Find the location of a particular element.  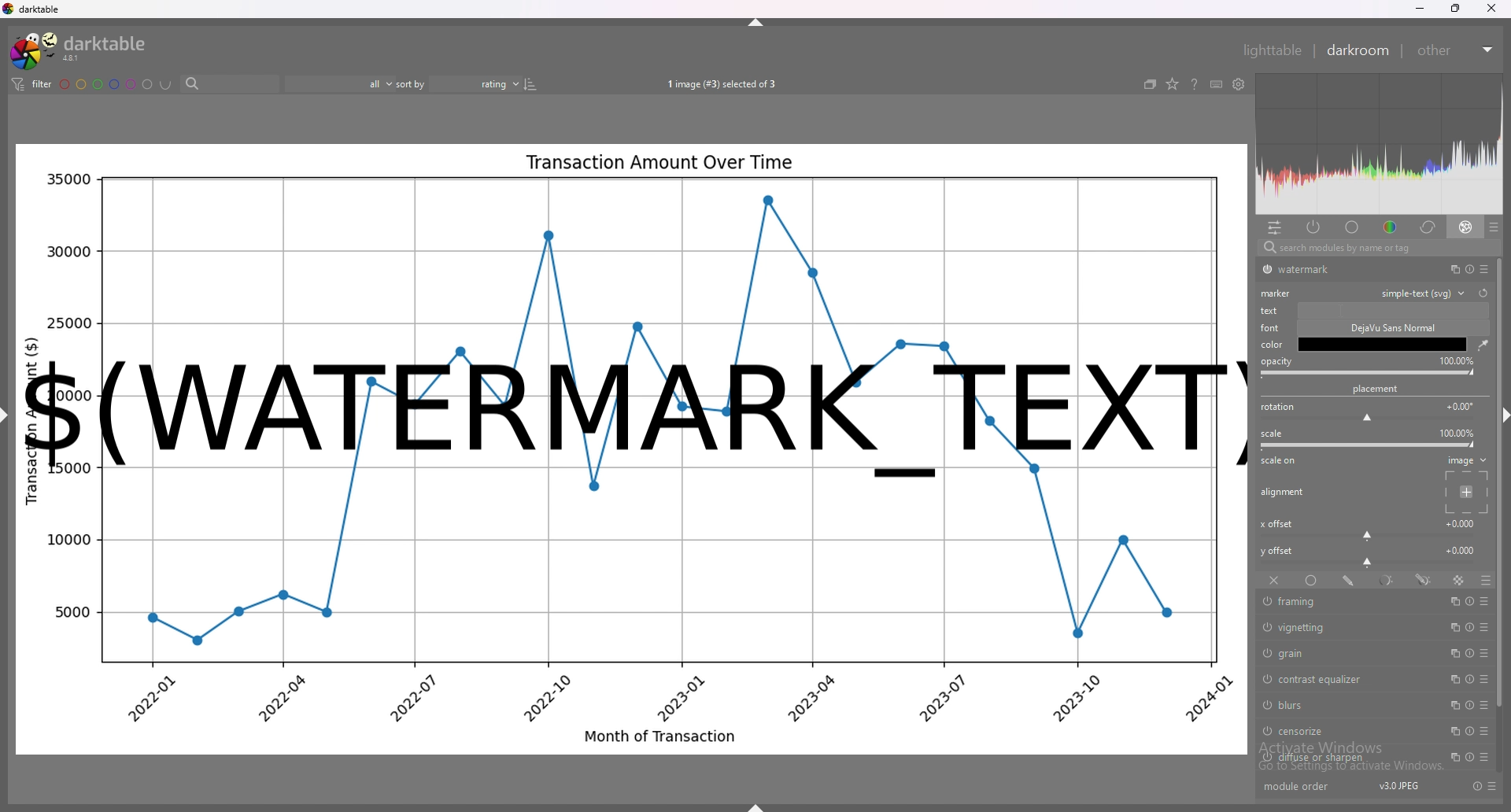

reset is located at coordinates (1468, 269).